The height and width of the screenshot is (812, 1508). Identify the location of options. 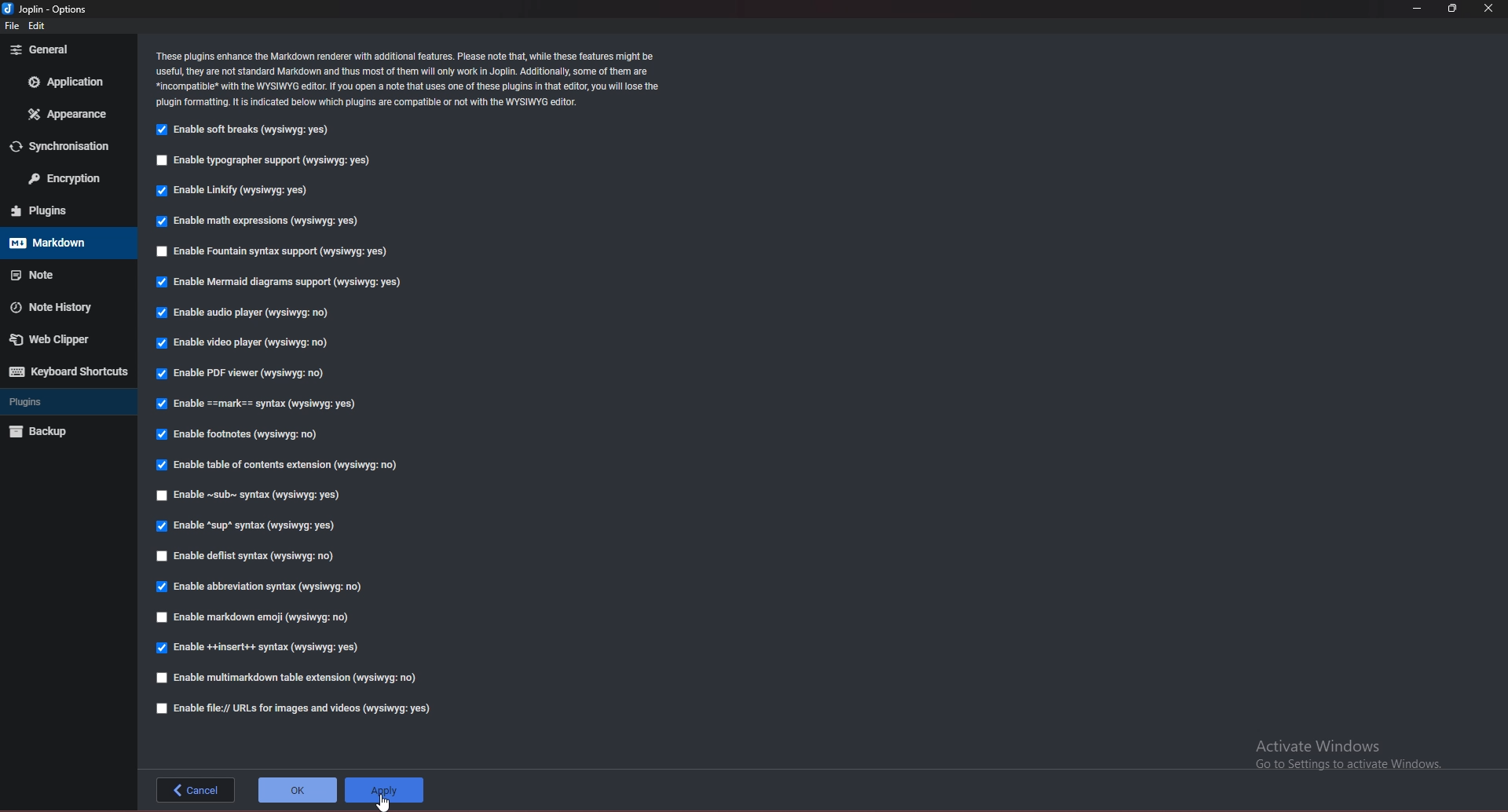
(46, 9).